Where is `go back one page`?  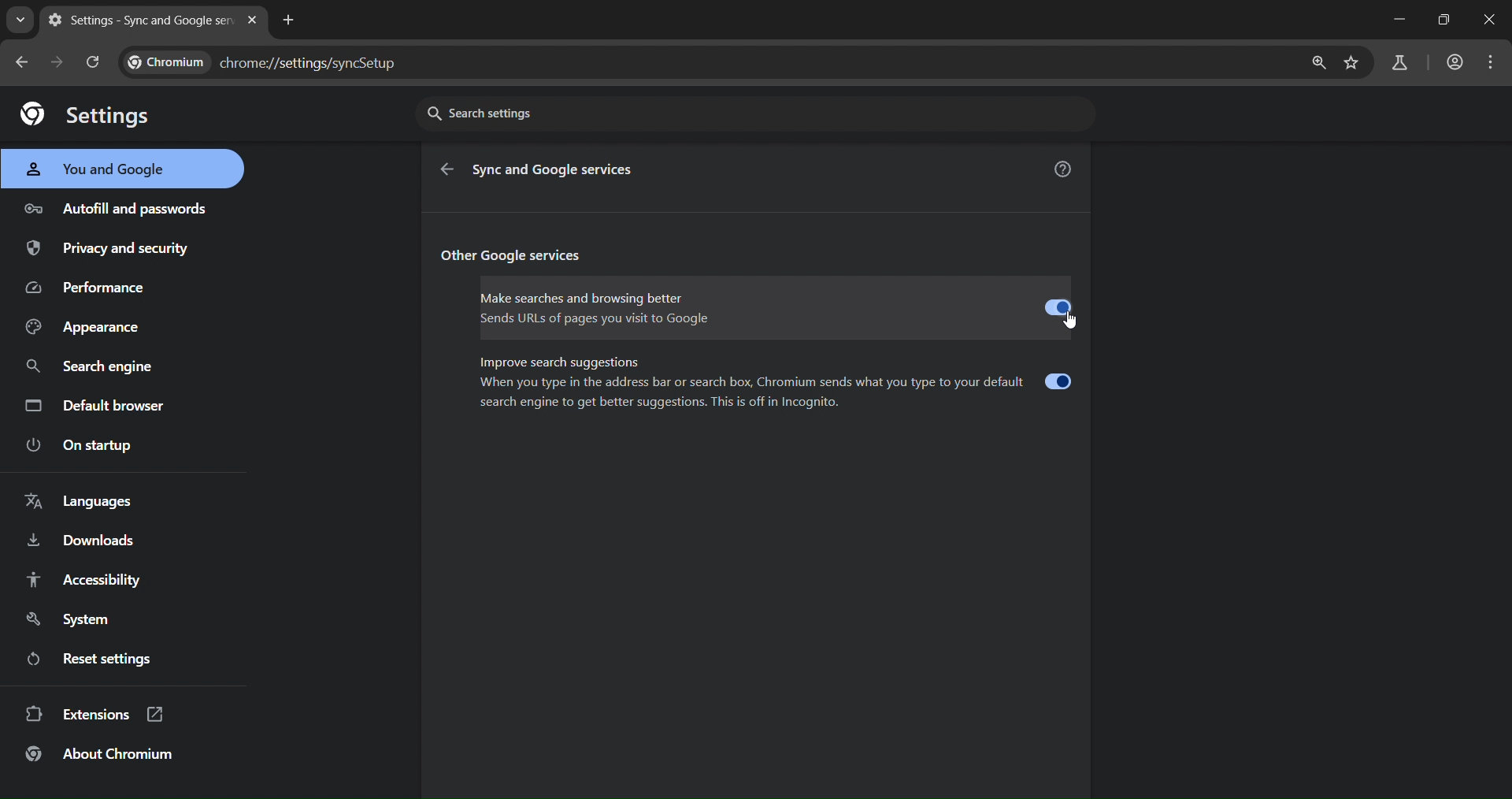
go back one page is located at coordinates (24, 61).